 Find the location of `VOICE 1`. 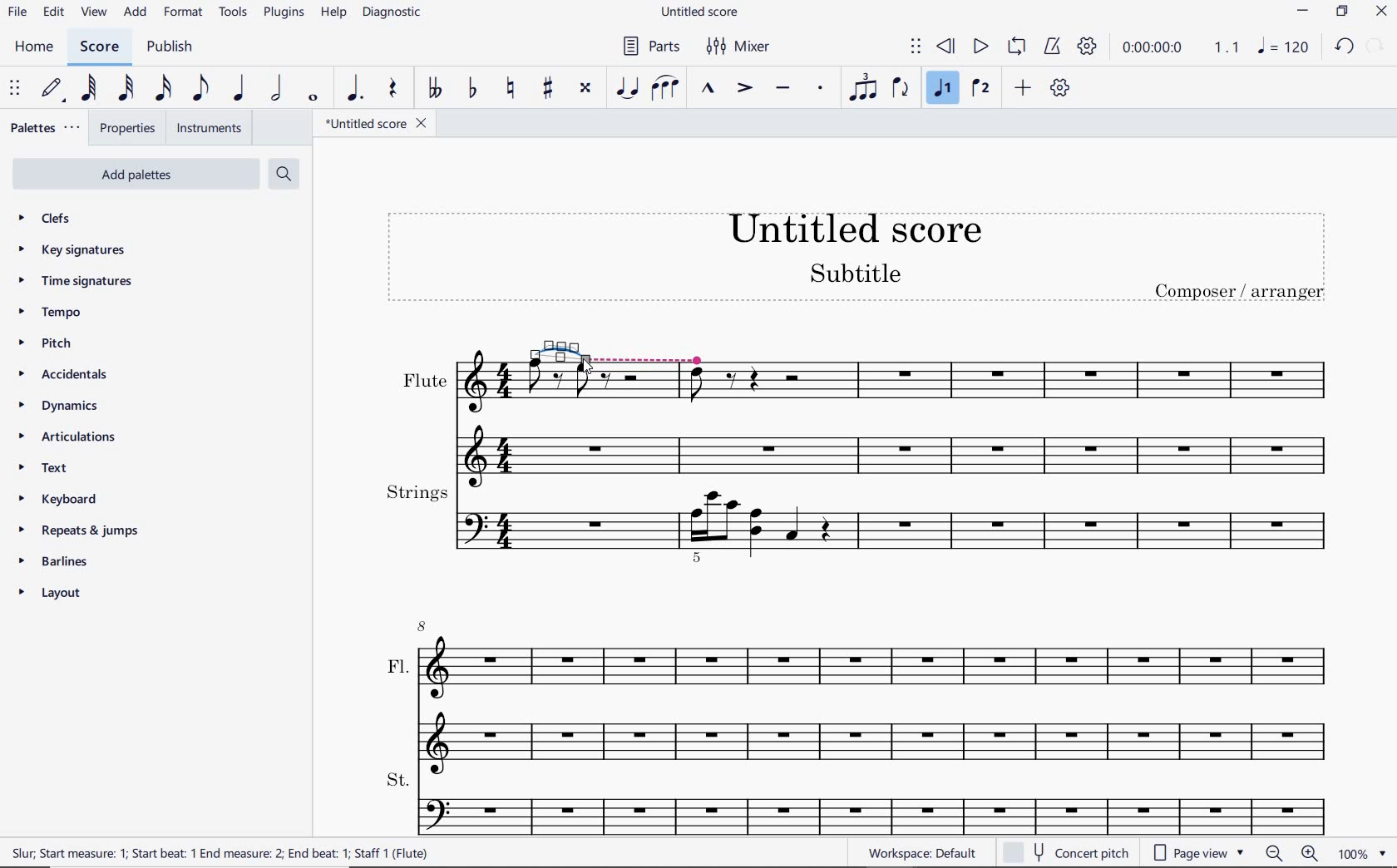

VOICE 1 is located at coordinates (944, 91).